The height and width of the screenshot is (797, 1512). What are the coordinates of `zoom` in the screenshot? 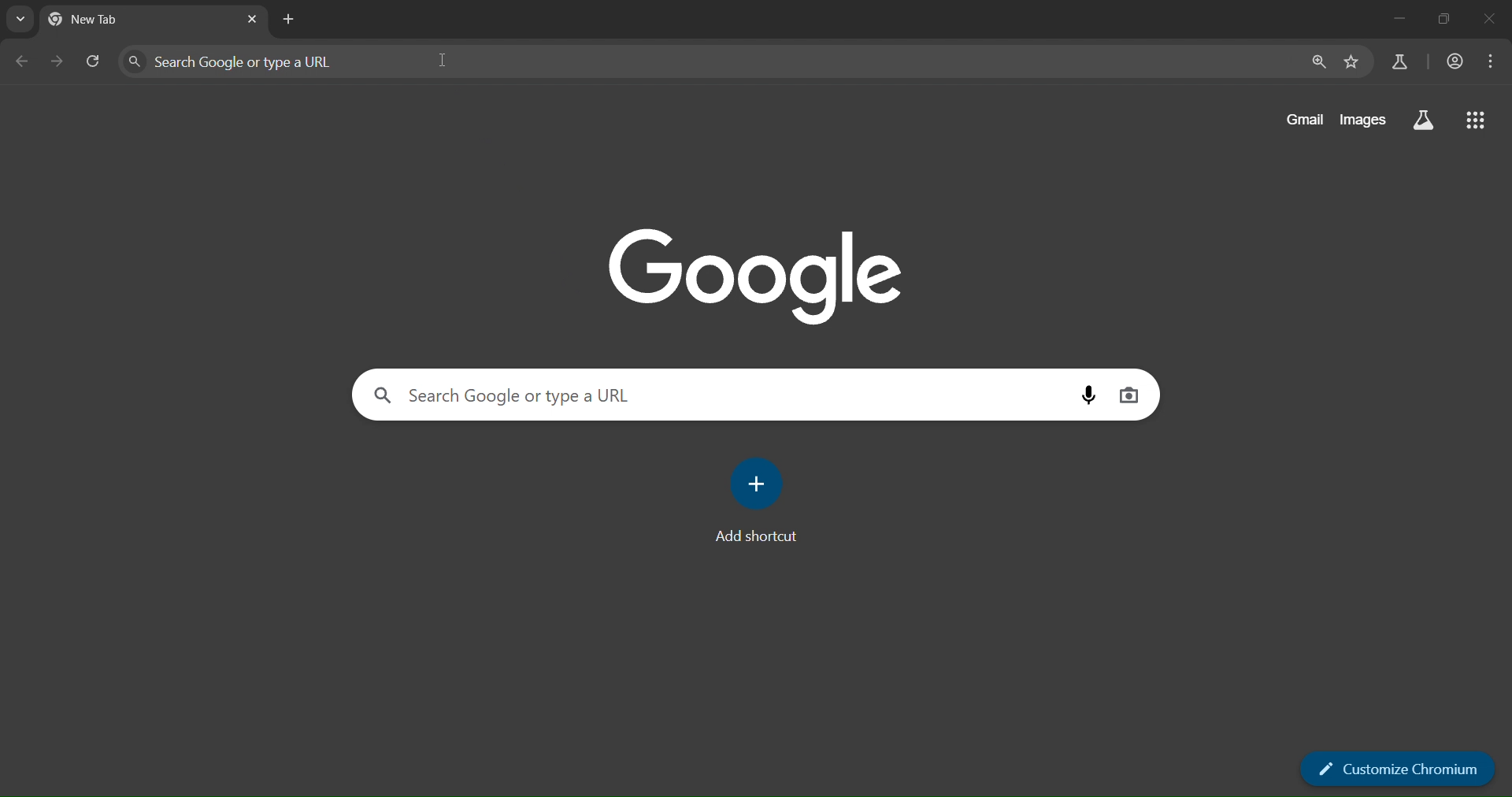 It's located at (1320, 60).